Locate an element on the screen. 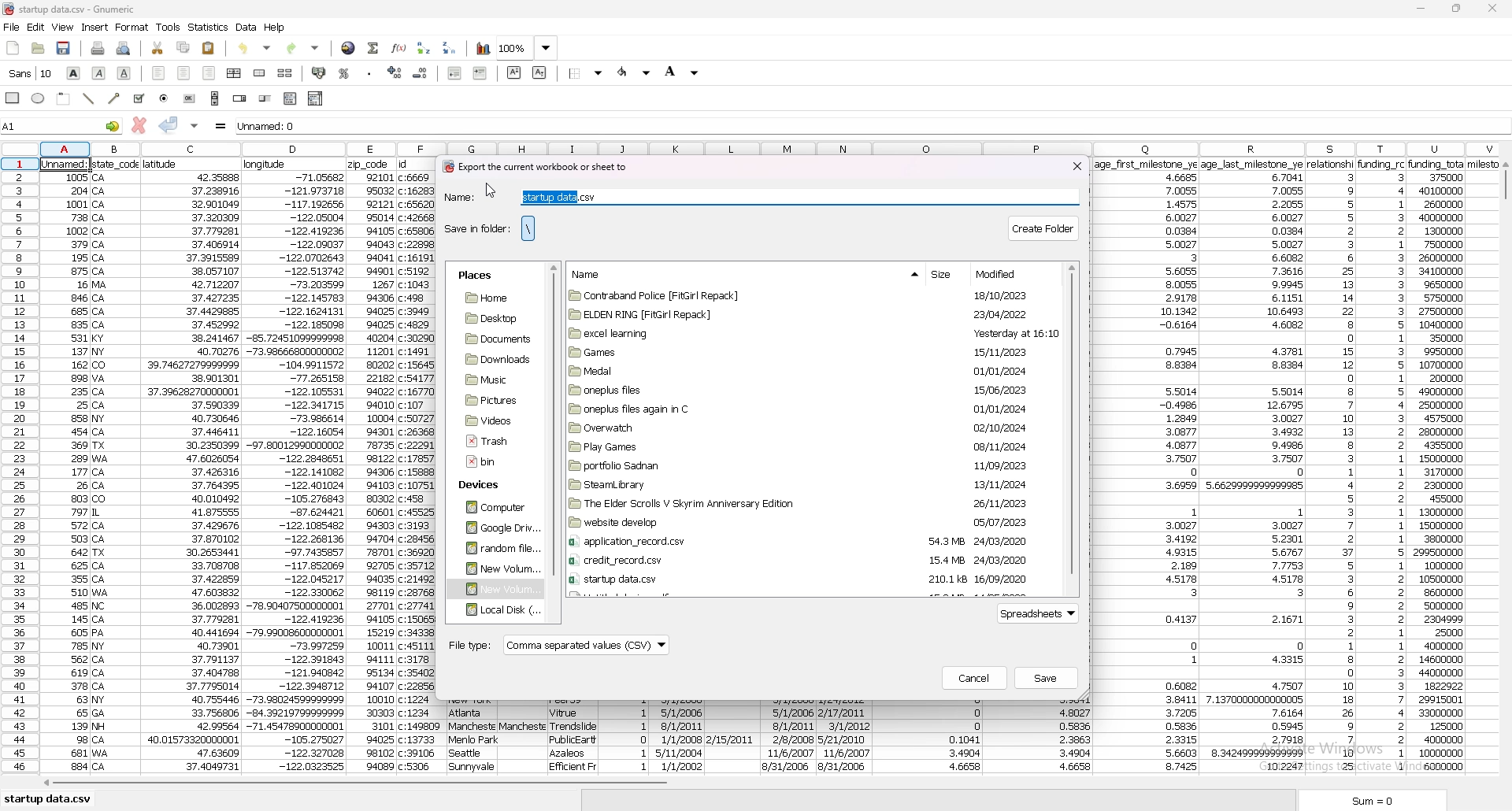 The image size is (1512, 811). decrease decimals is located at coordinates (421, 73).